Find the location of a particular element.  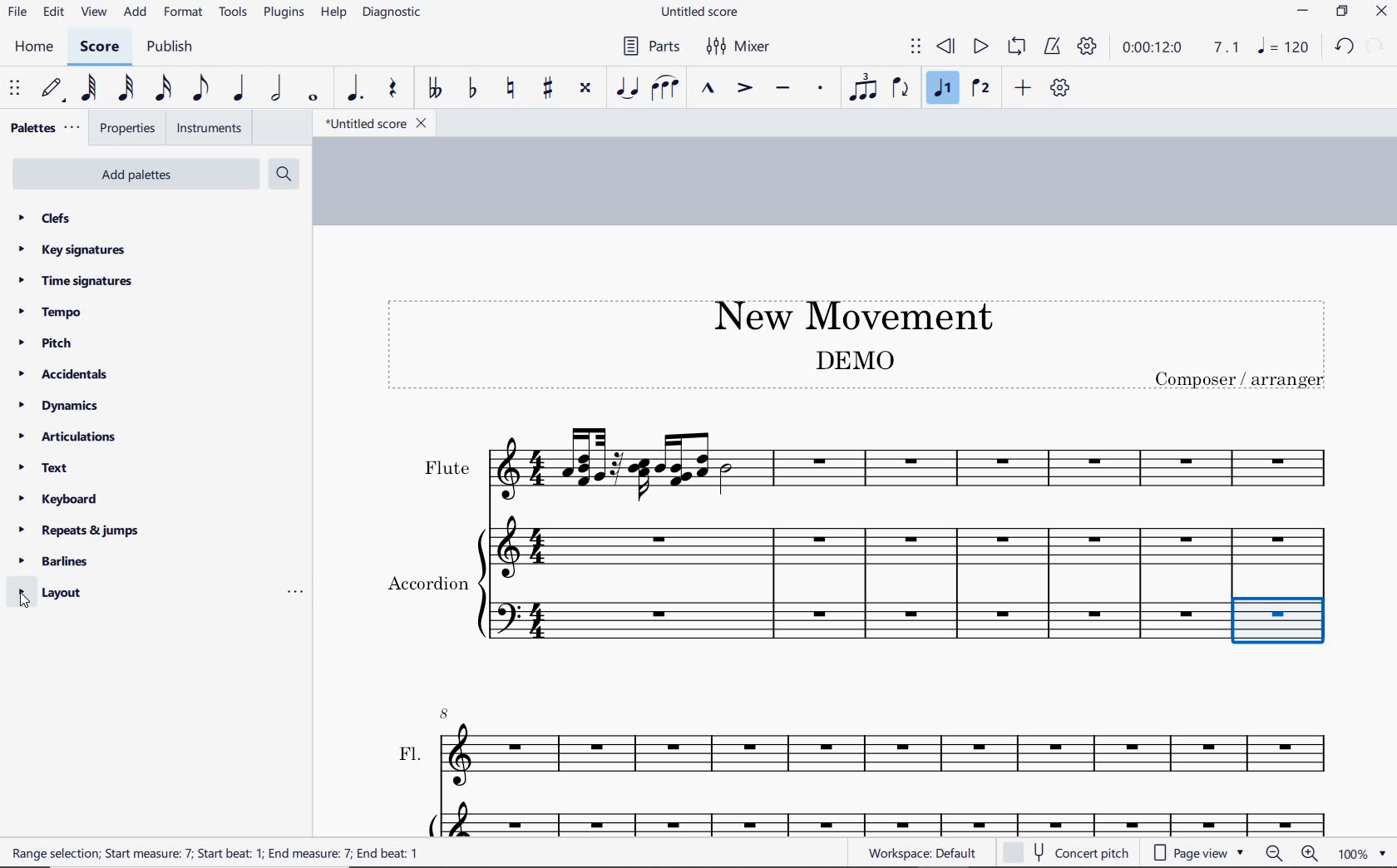

text is located at coordinates (853, 359).